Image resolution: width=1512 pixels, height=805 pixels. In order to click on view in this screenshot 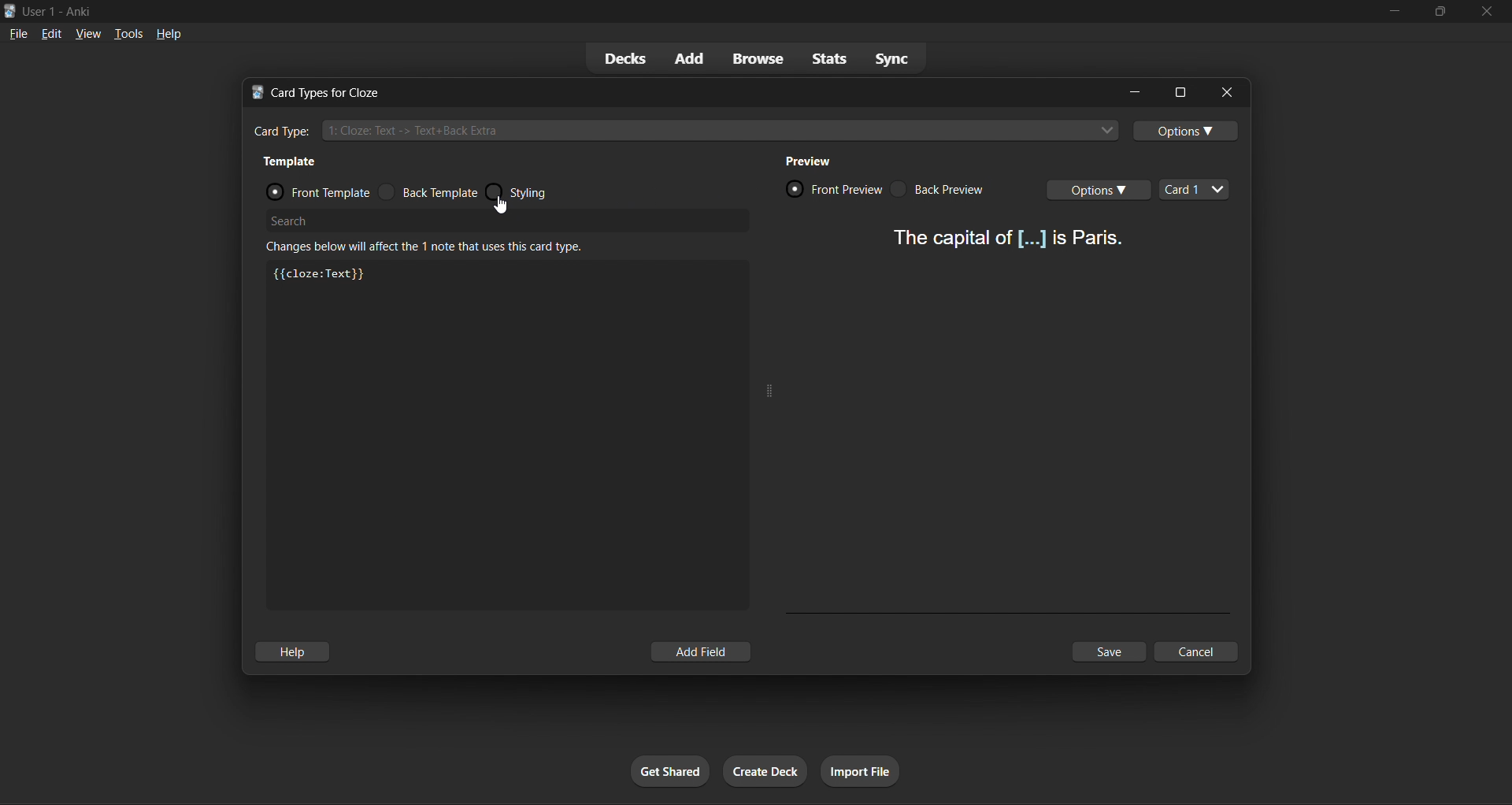, I will do `click(89, 32)`.